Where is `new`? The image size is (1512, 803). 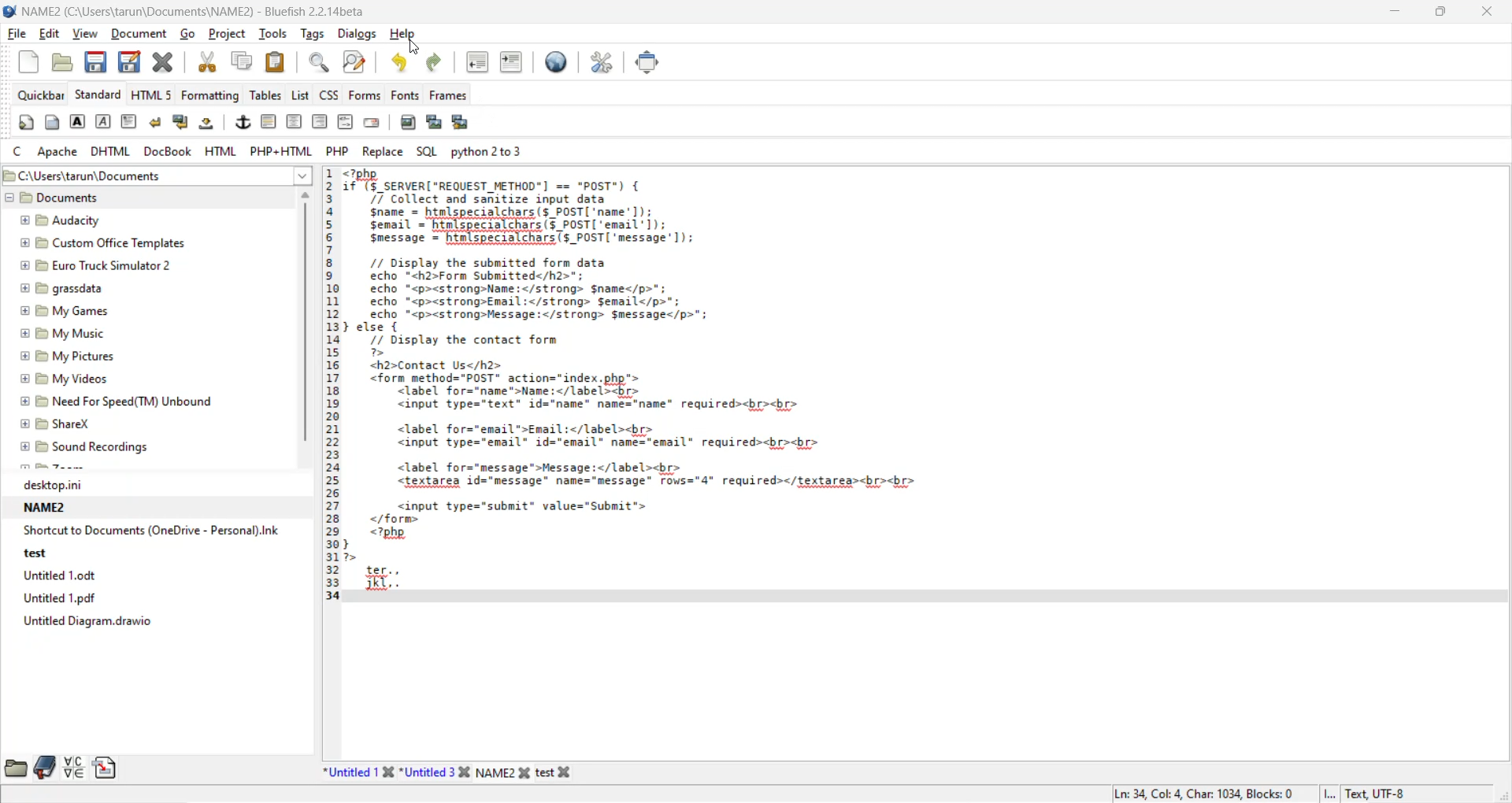
new is located at coordinates (29, 61).